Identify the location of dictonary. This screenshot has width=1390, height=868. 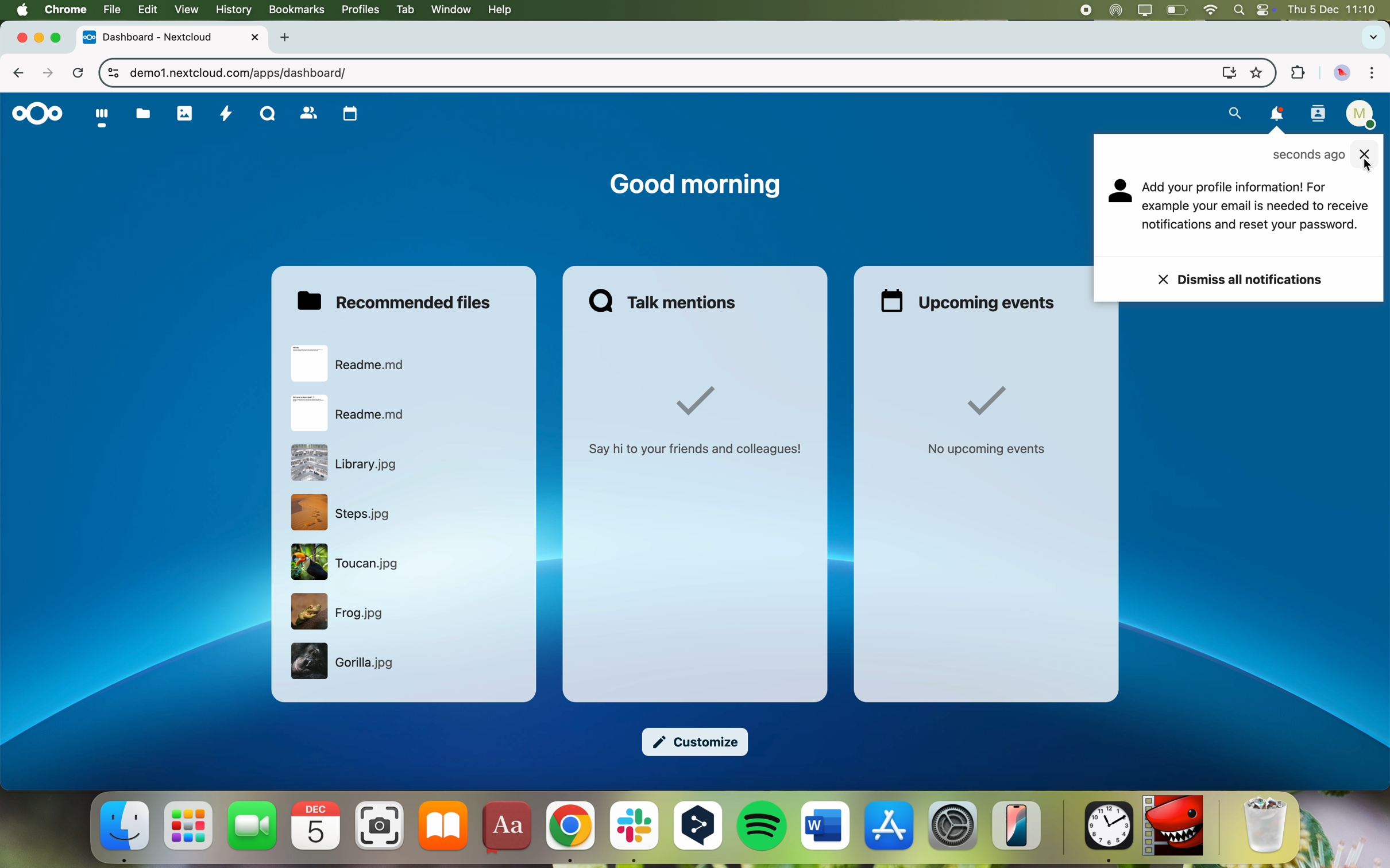
(505, 829).